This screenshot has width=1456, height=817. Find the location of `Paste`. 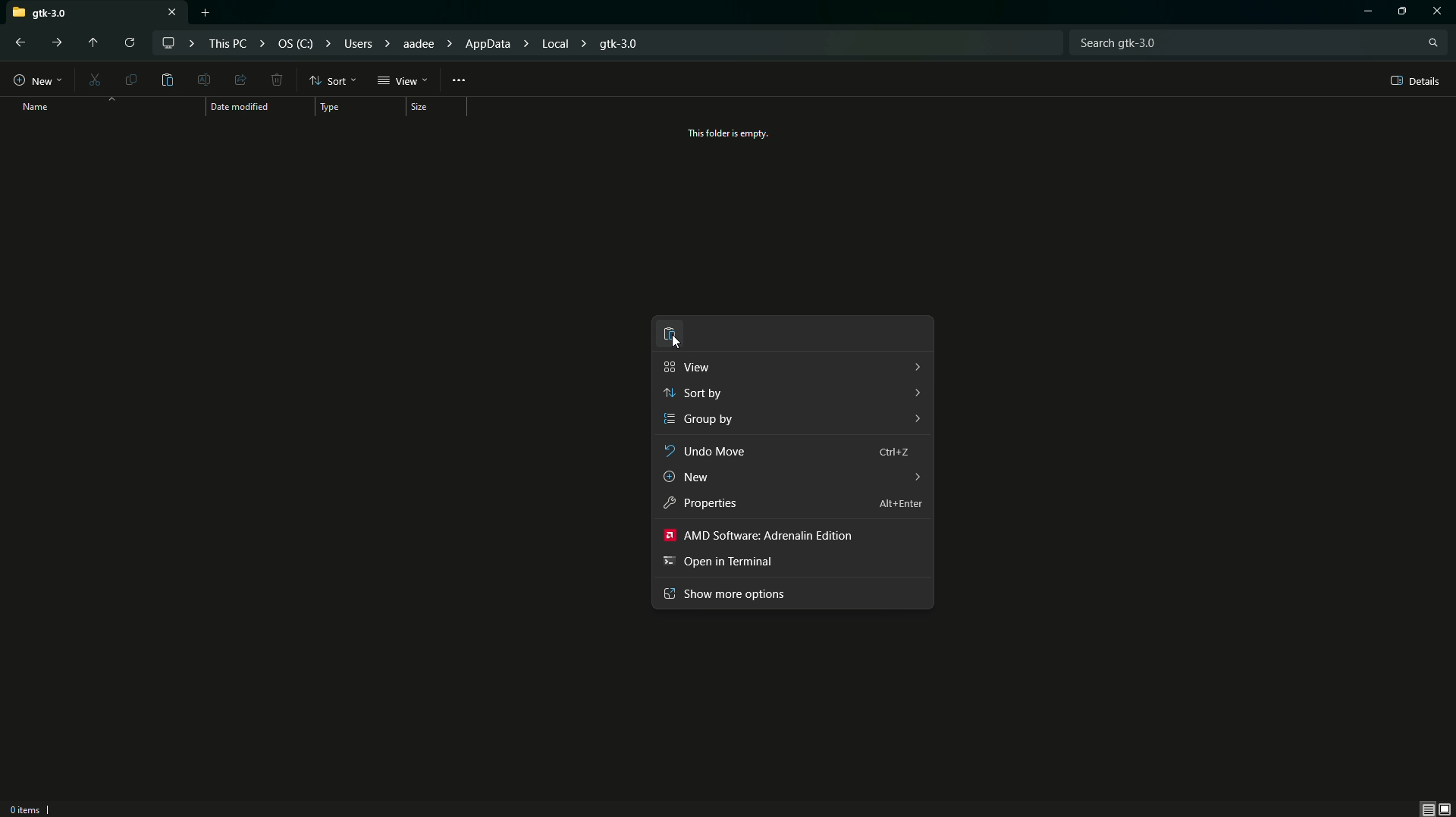

Paste is located at coordinates (668, 333).